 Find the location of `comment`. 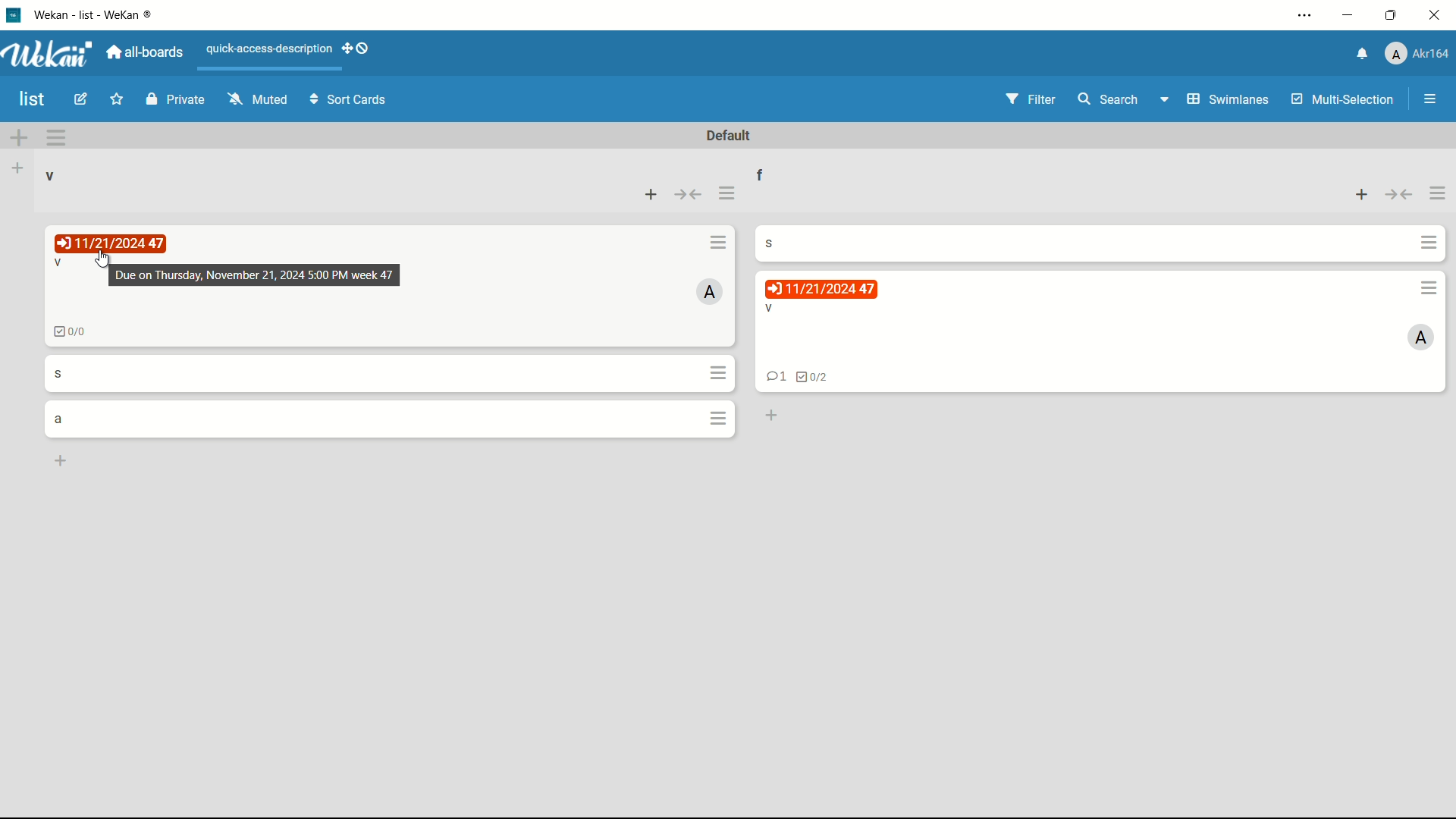

comment is located at coordinates (773, 378).